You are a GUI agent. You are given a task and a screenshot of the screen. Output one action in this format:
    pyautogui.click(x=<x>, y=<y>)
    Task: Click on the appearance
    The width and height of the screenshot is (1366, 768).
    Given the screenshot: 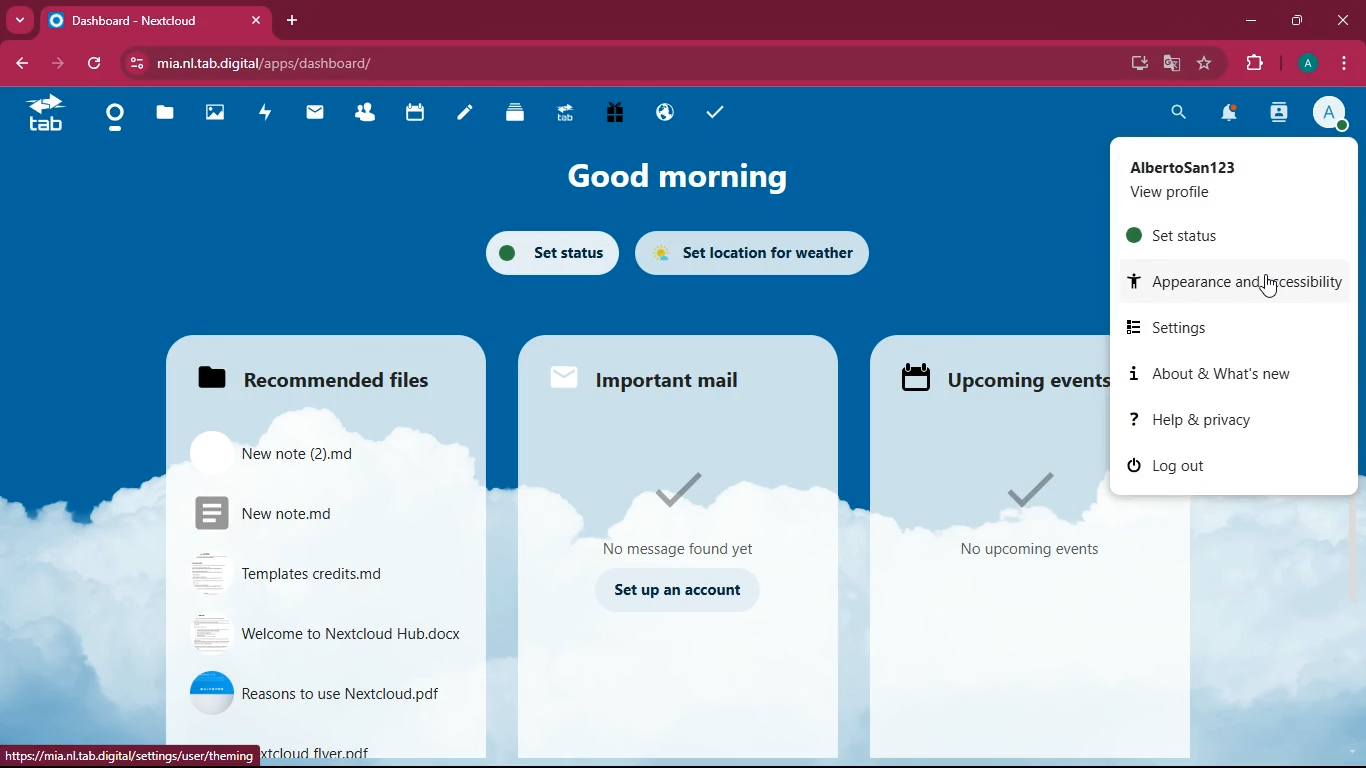 What is the action you would take?
    pyautogui.click(x=1232, y=278)
    